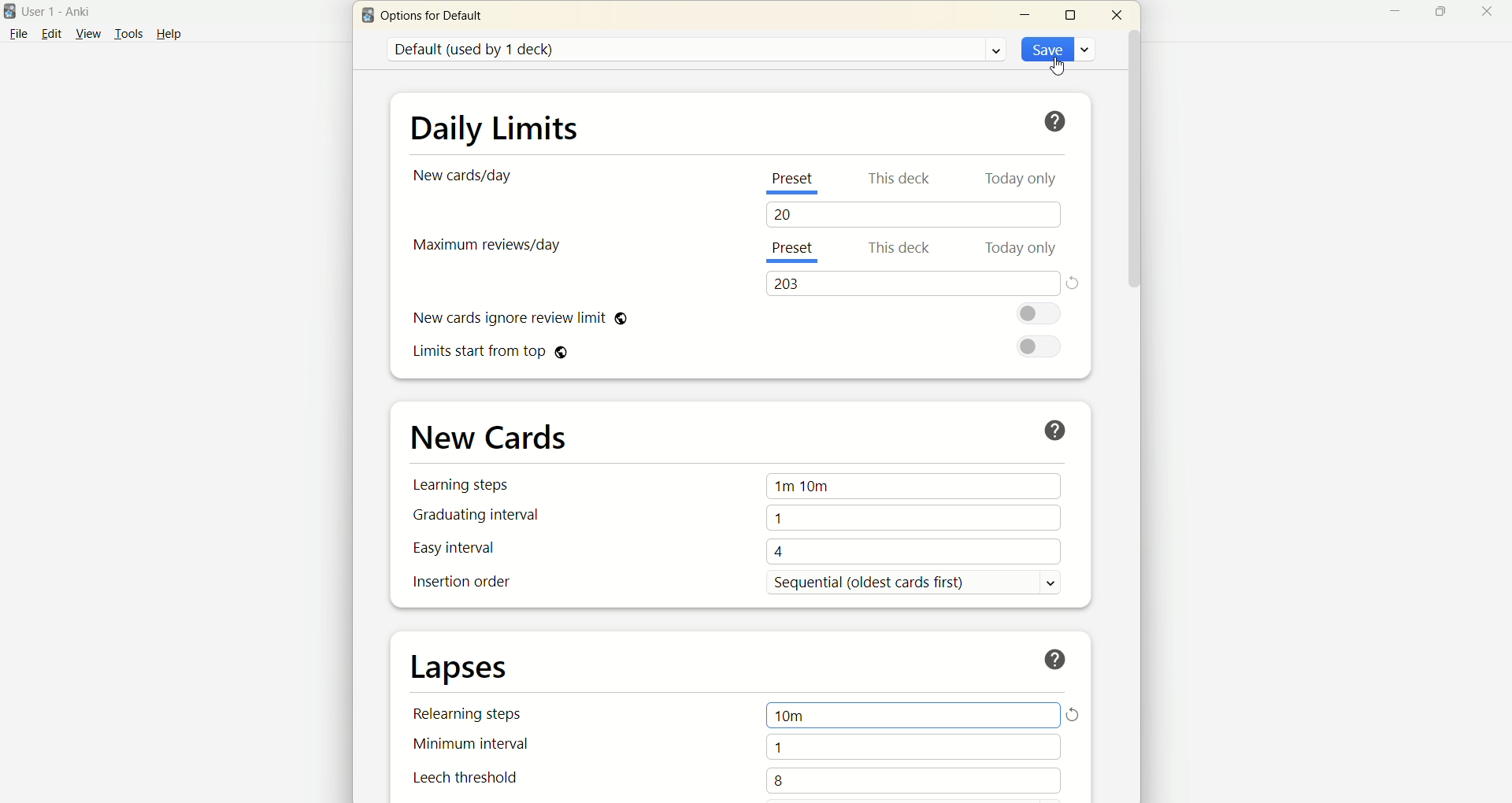  What do you see at coordinates (492, 126) in the screenshot?
I see `daily limits` at bounding box center [492, 126].